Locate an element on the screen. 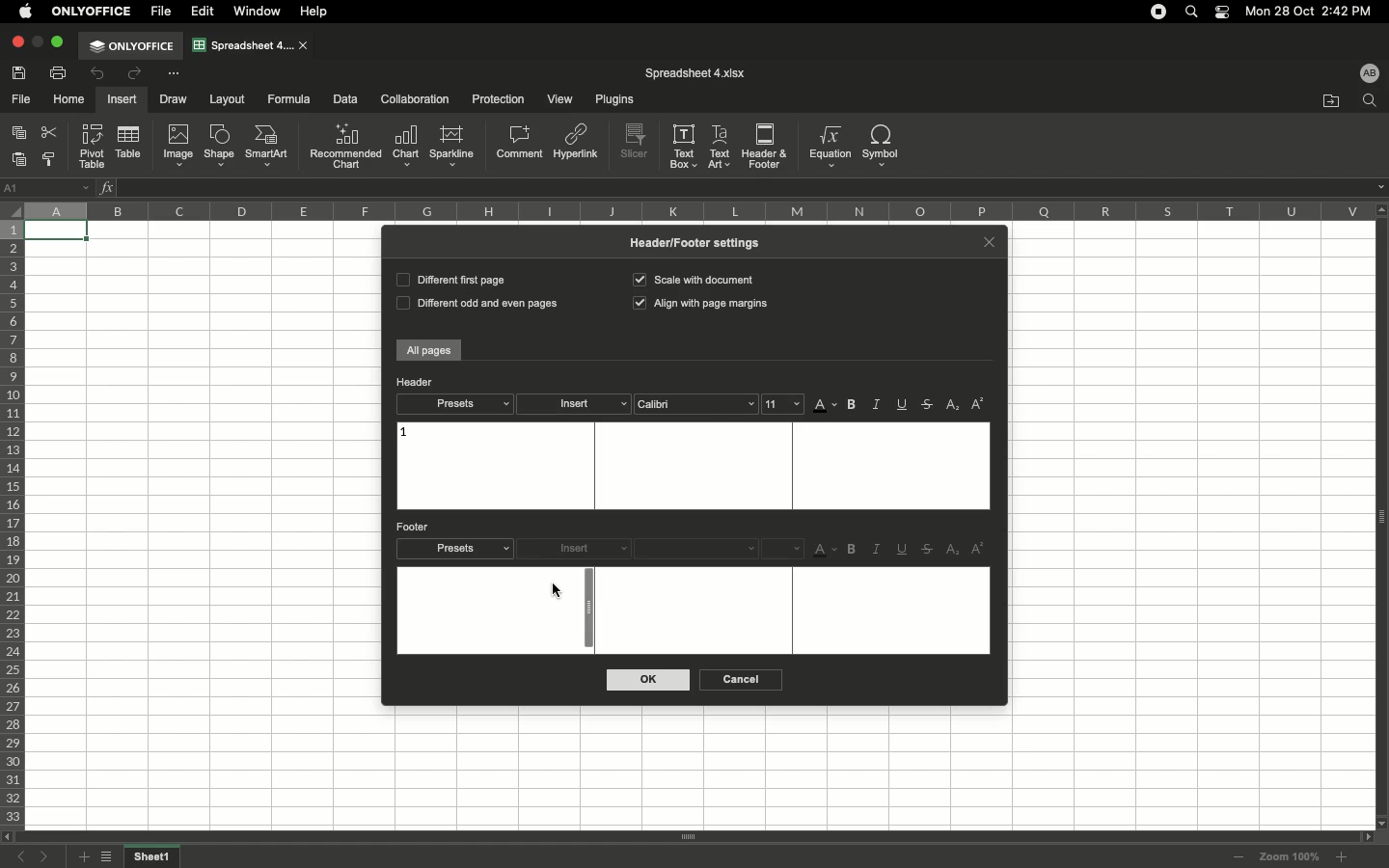 The image size is (1389, 868). Sparkline is located at coordinates (451, 146).